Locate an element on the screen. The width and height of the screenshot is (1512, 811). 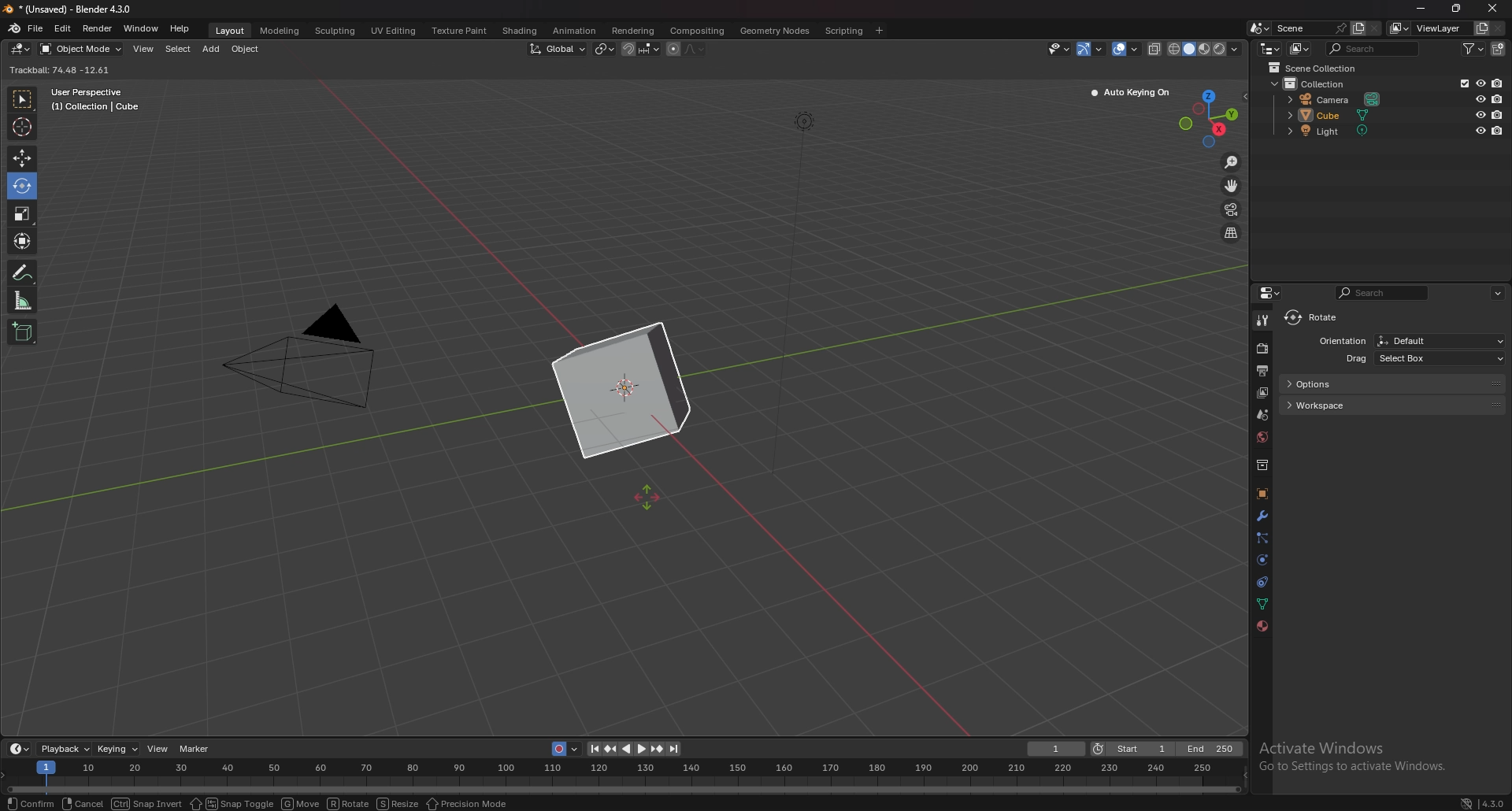
add is located at coordinates (211, 50).